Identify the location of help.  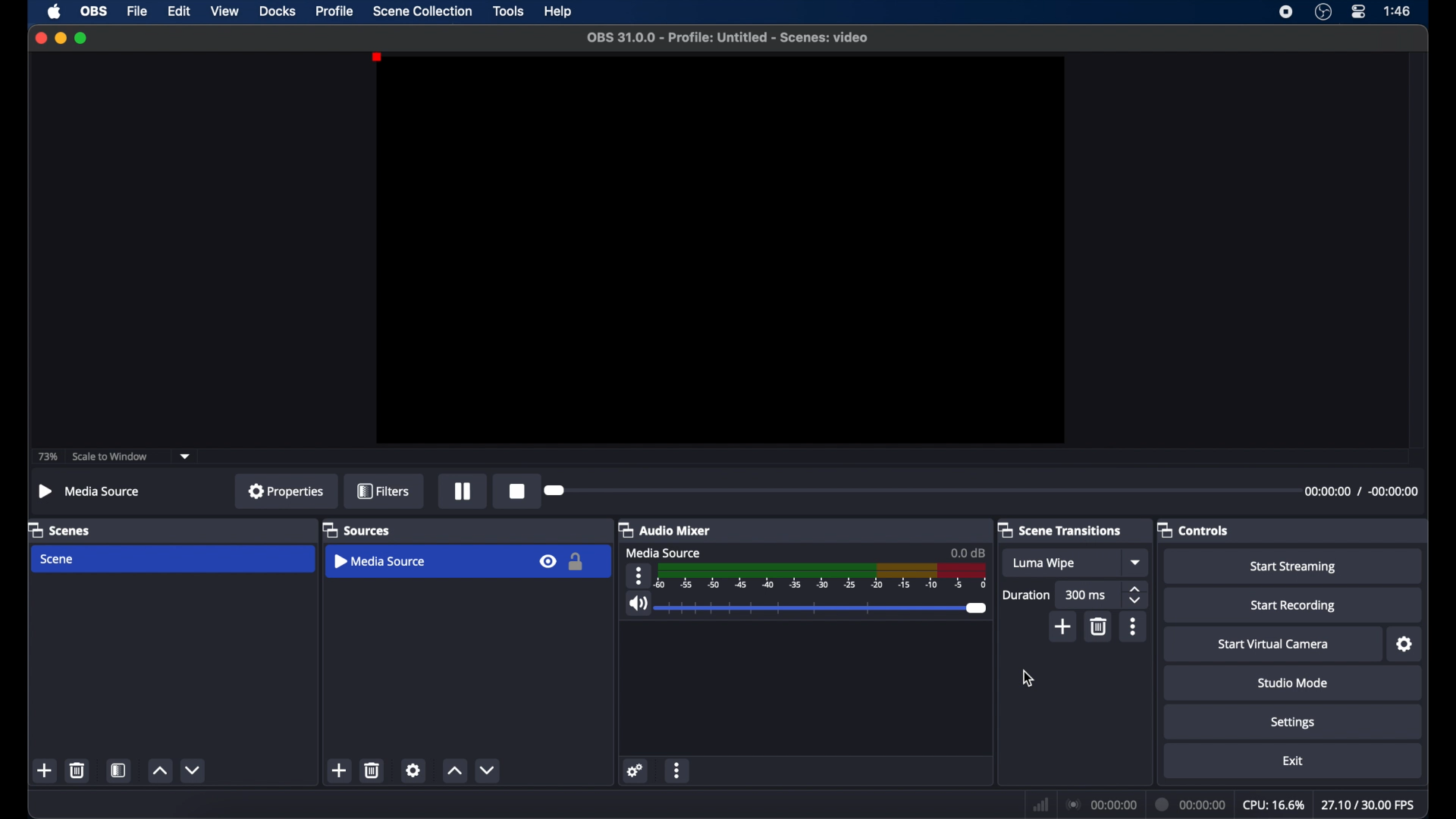
(560, 13).